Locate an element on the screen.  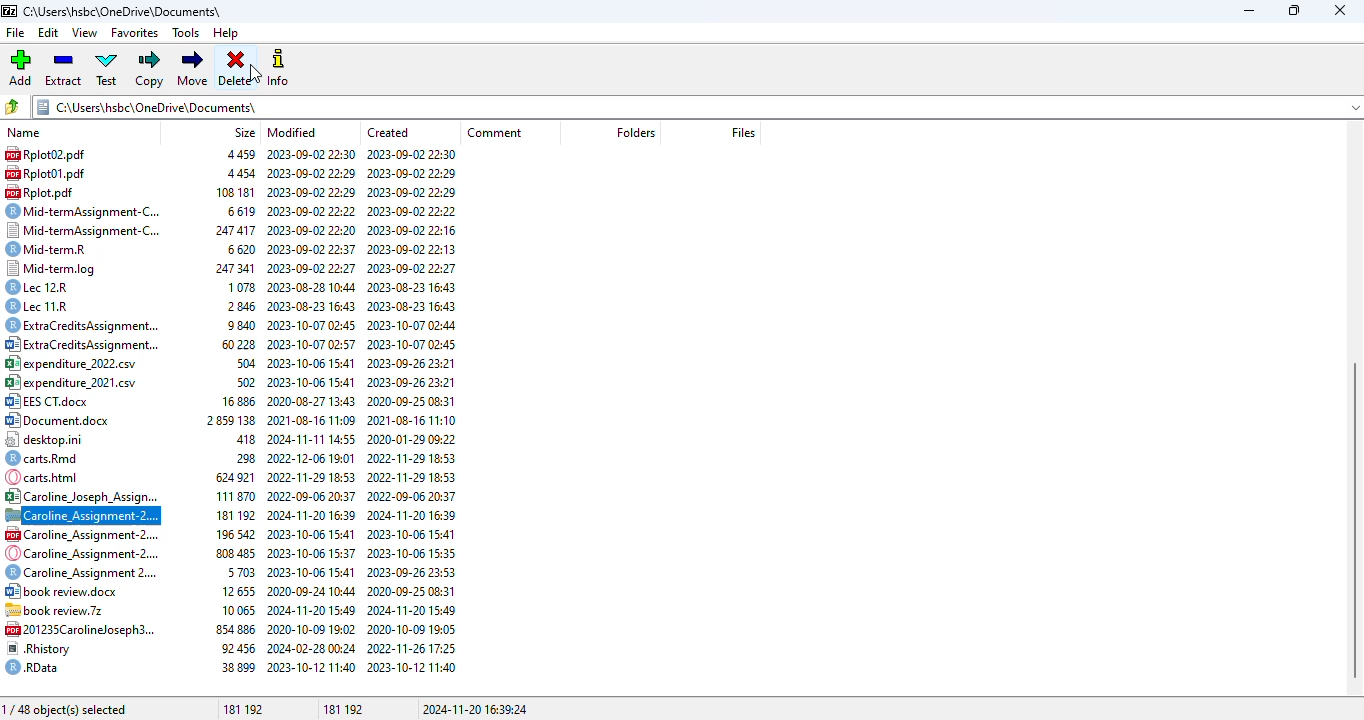
854886 is located at coordinates (232, 627).